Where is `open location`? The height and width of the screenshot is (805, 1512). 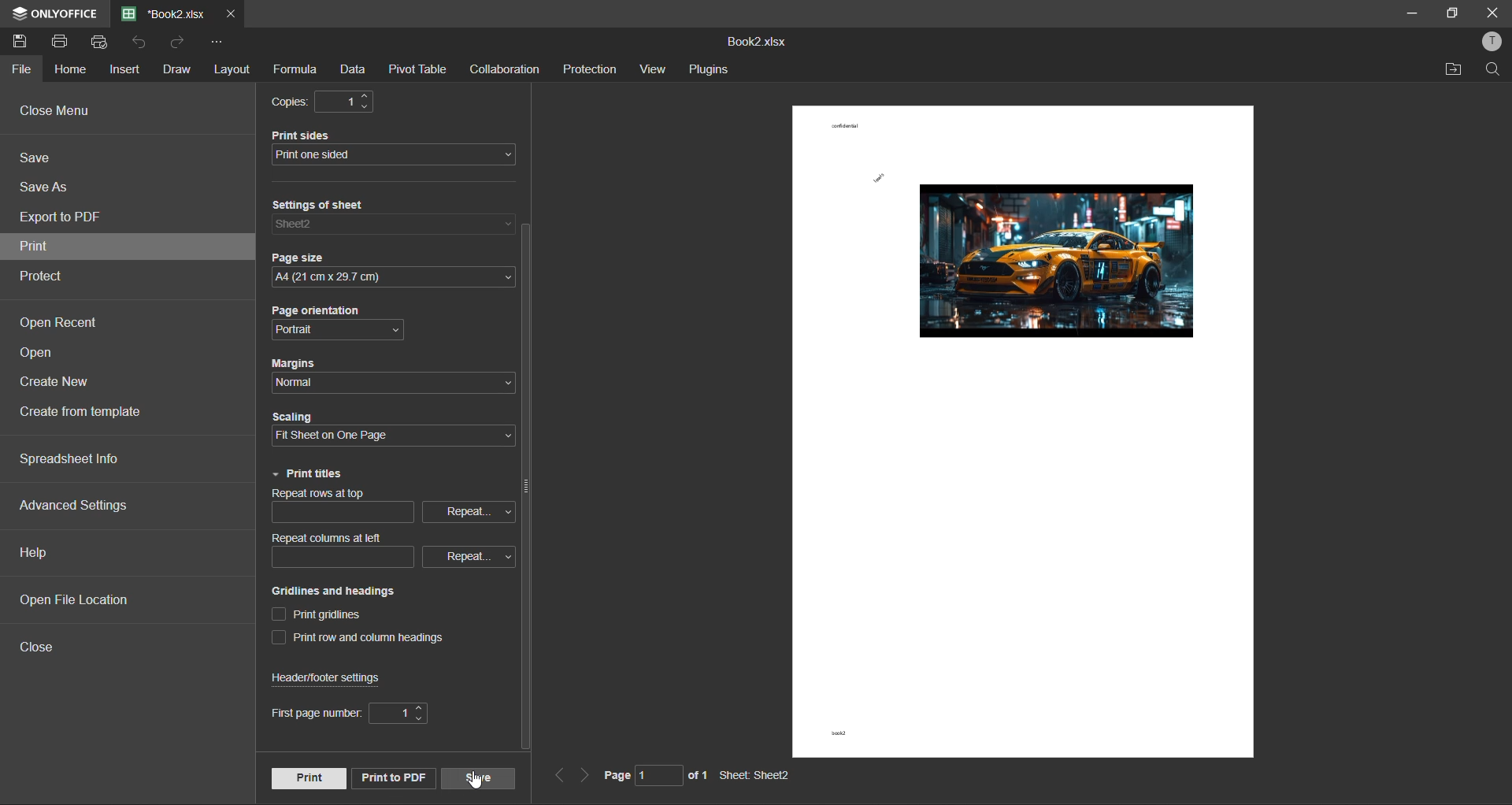
open location is located at coordinates (1451, 69).